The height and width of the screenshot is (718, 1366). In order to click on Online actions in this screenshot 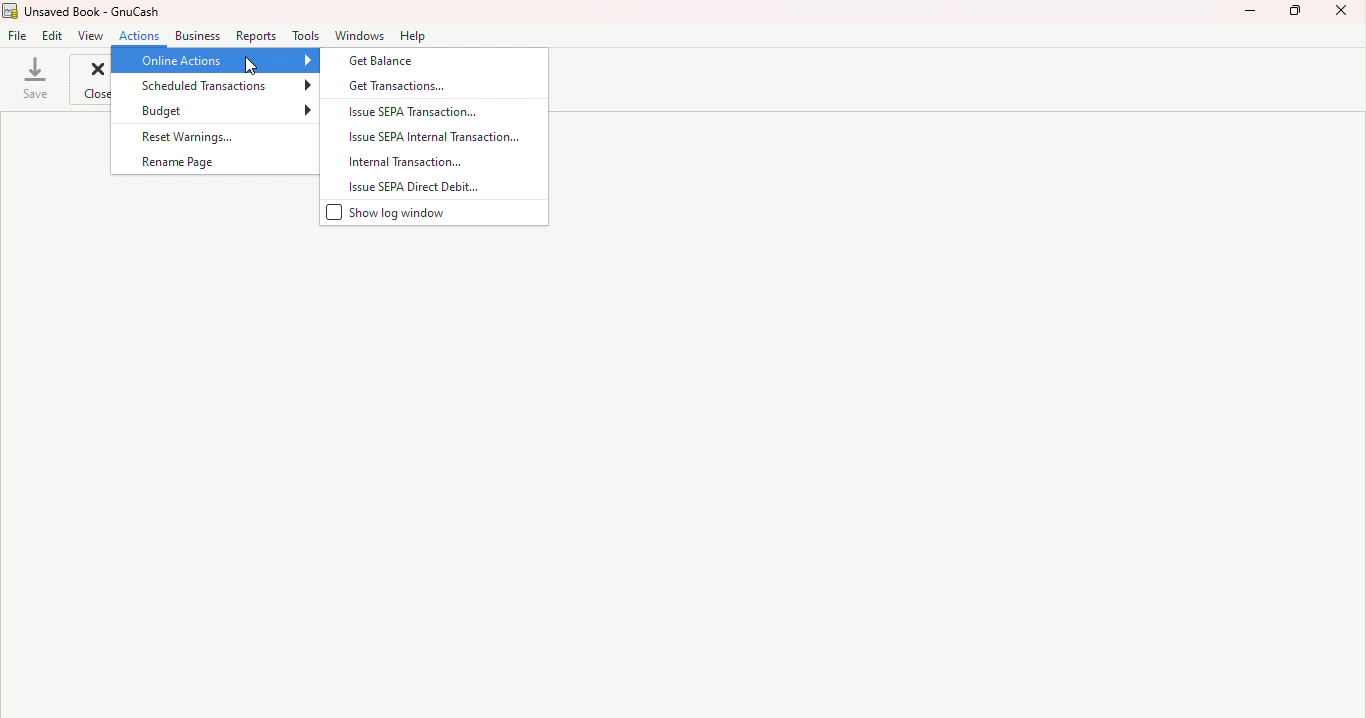, I will do `click(214, 60)`.